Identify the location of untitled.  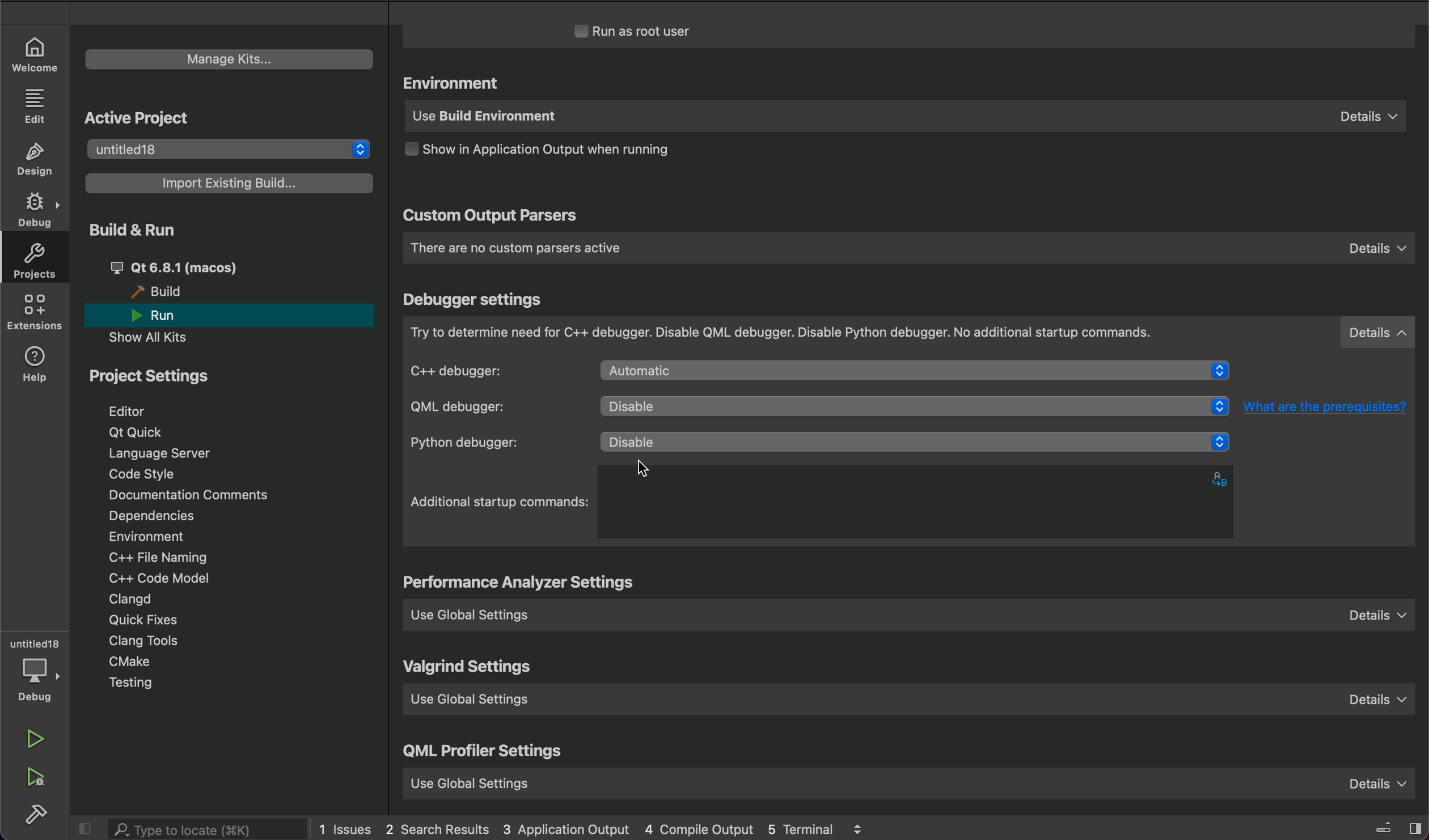
(225, 147).